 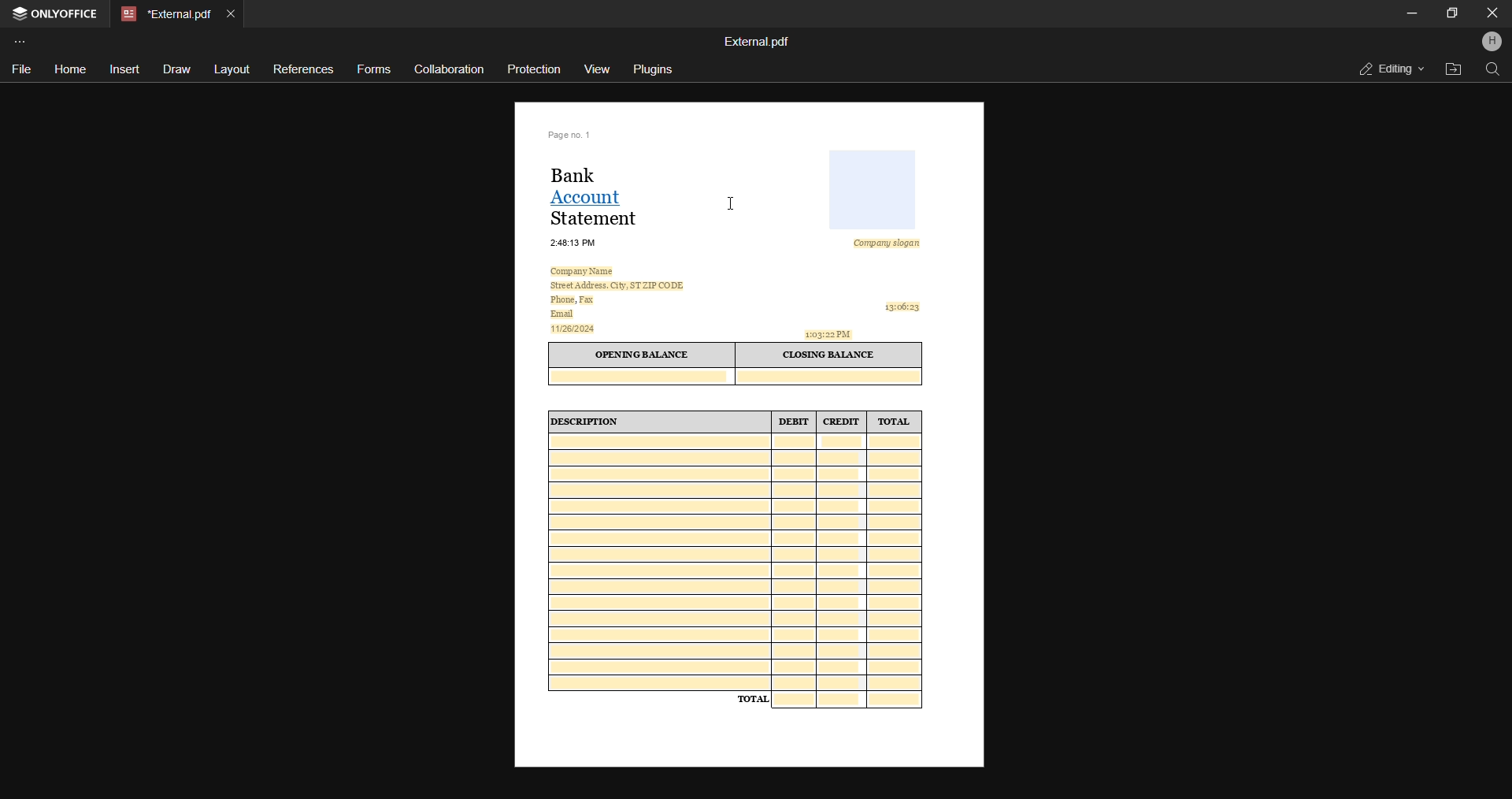 I want to click on protection, so click(x=536, y=69).